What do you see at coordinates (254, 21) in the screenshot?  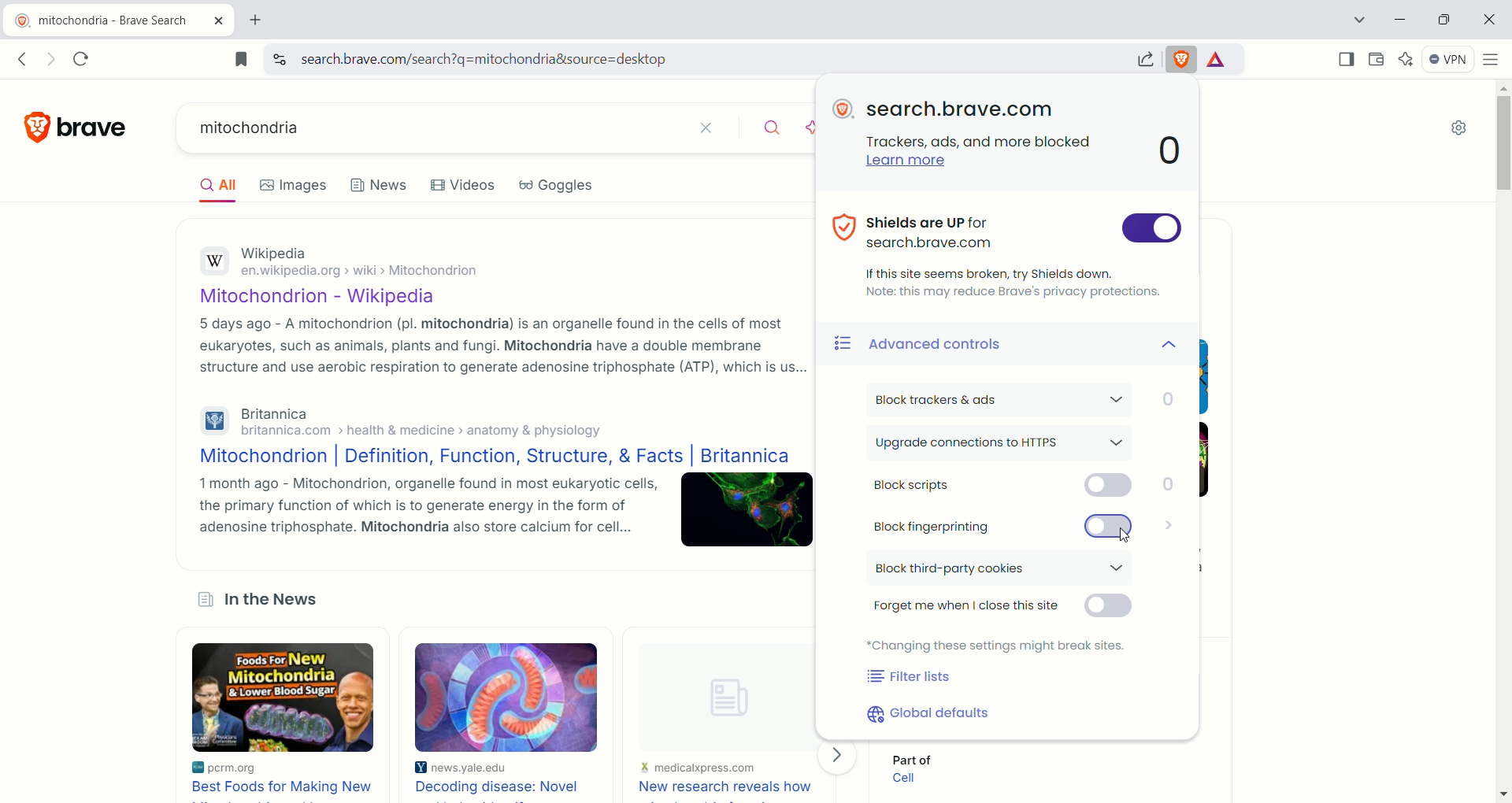 I see `new tab` at bounding box center [254, 21].